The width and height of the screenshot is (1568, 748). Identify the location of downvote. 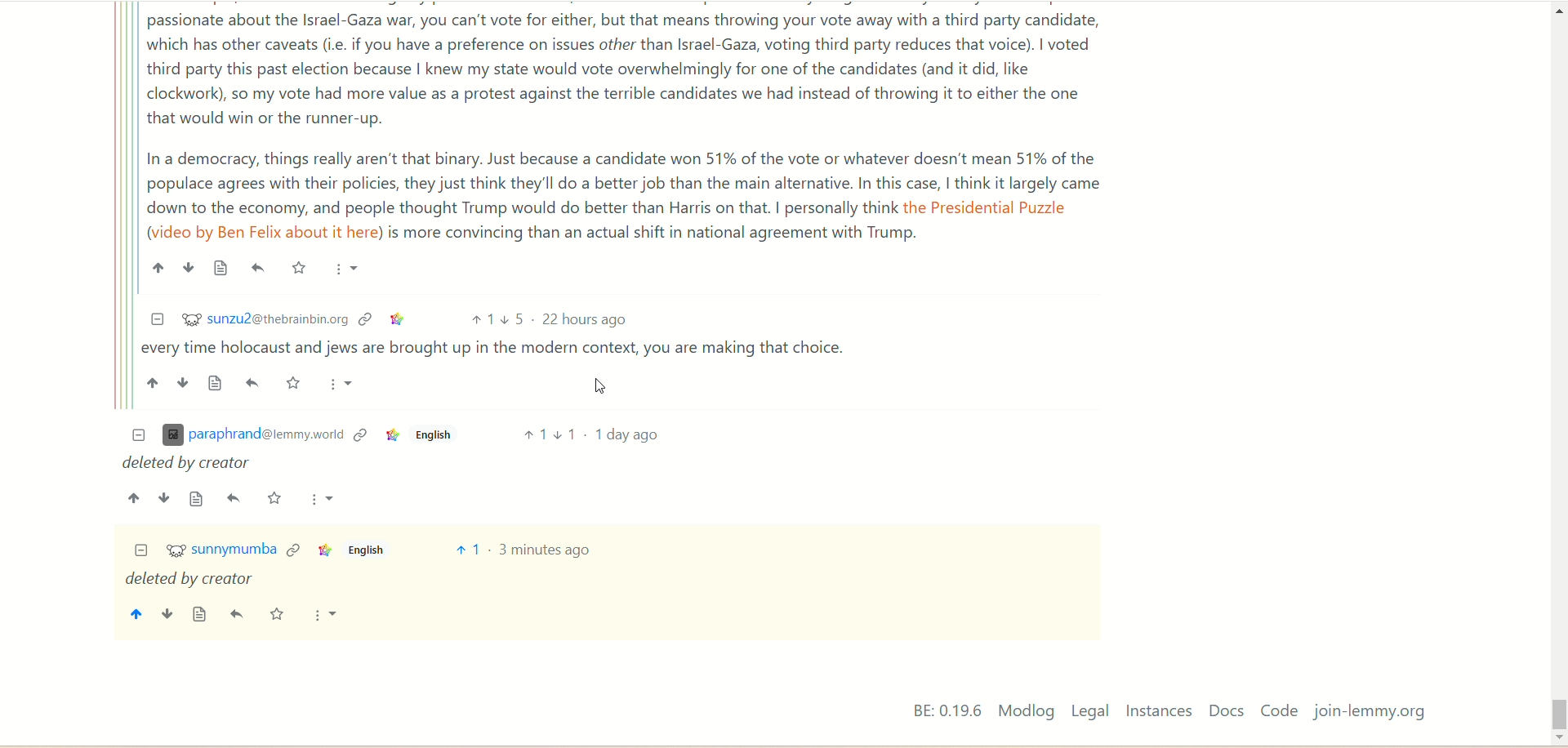
(166, 616).